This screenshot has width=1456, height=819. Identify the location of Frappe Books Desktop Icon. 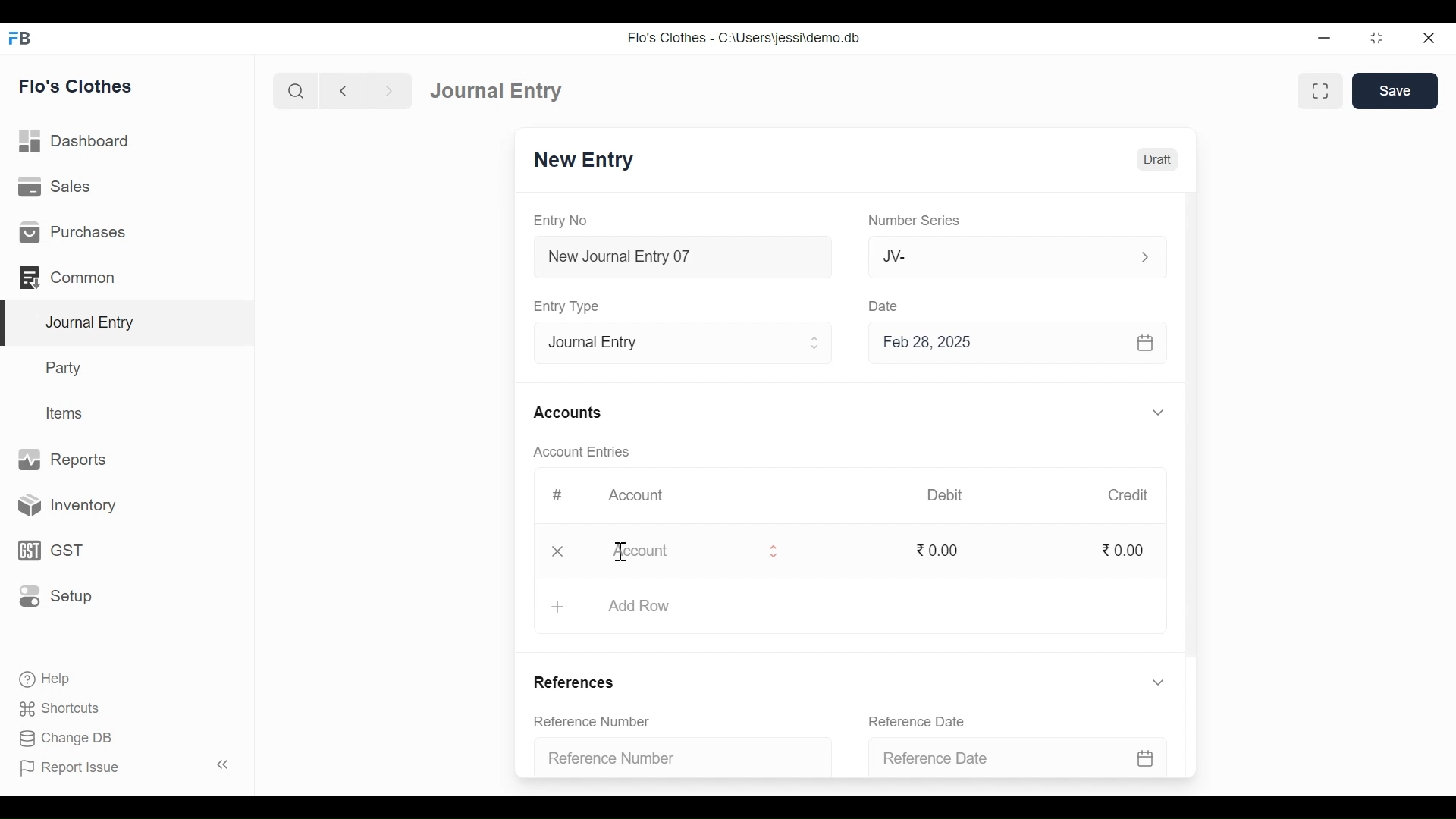
(20, 39).